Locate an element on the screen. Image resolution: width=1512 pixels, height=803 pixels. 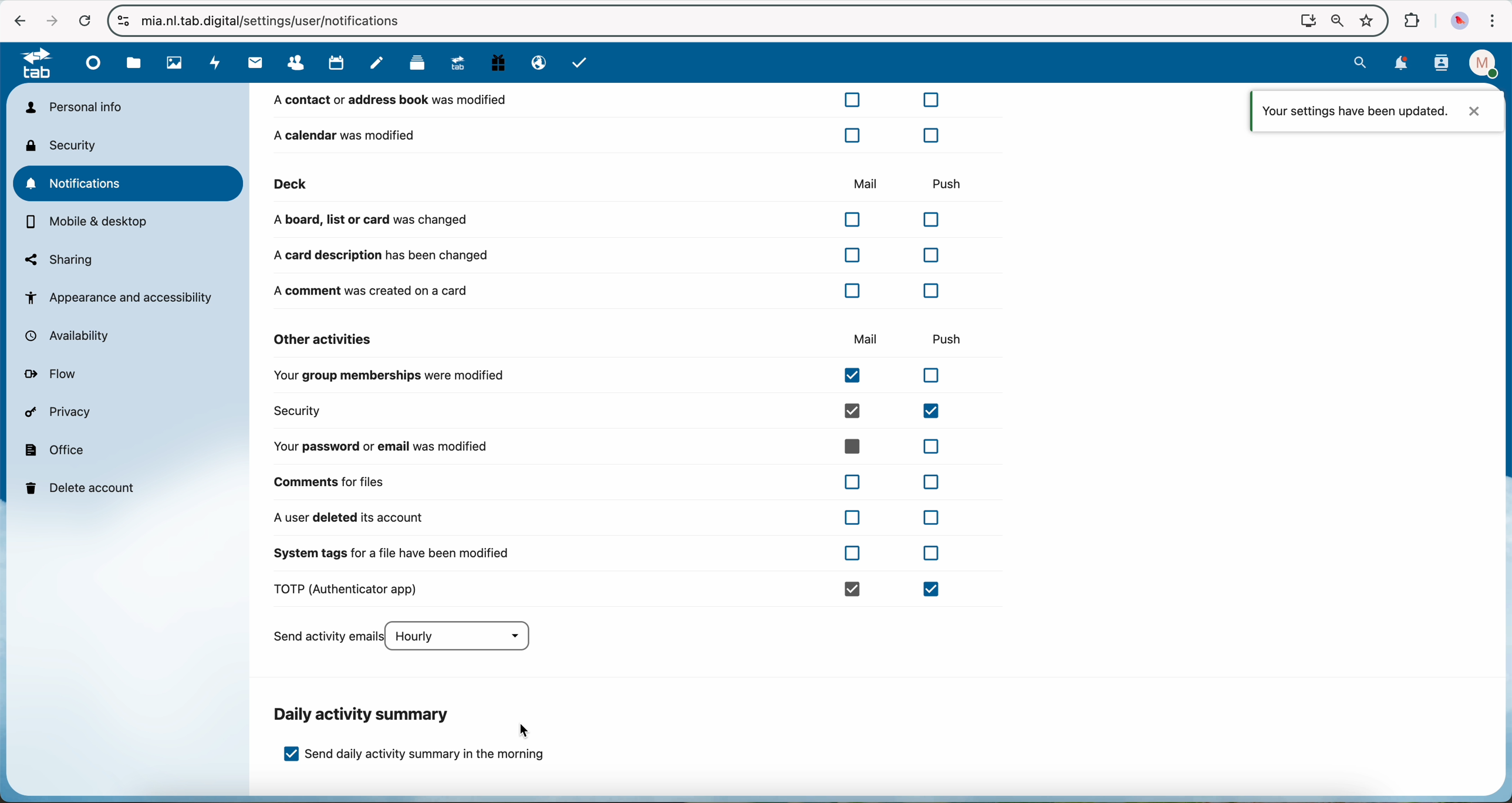
availability is located at coordinates (73, 336).